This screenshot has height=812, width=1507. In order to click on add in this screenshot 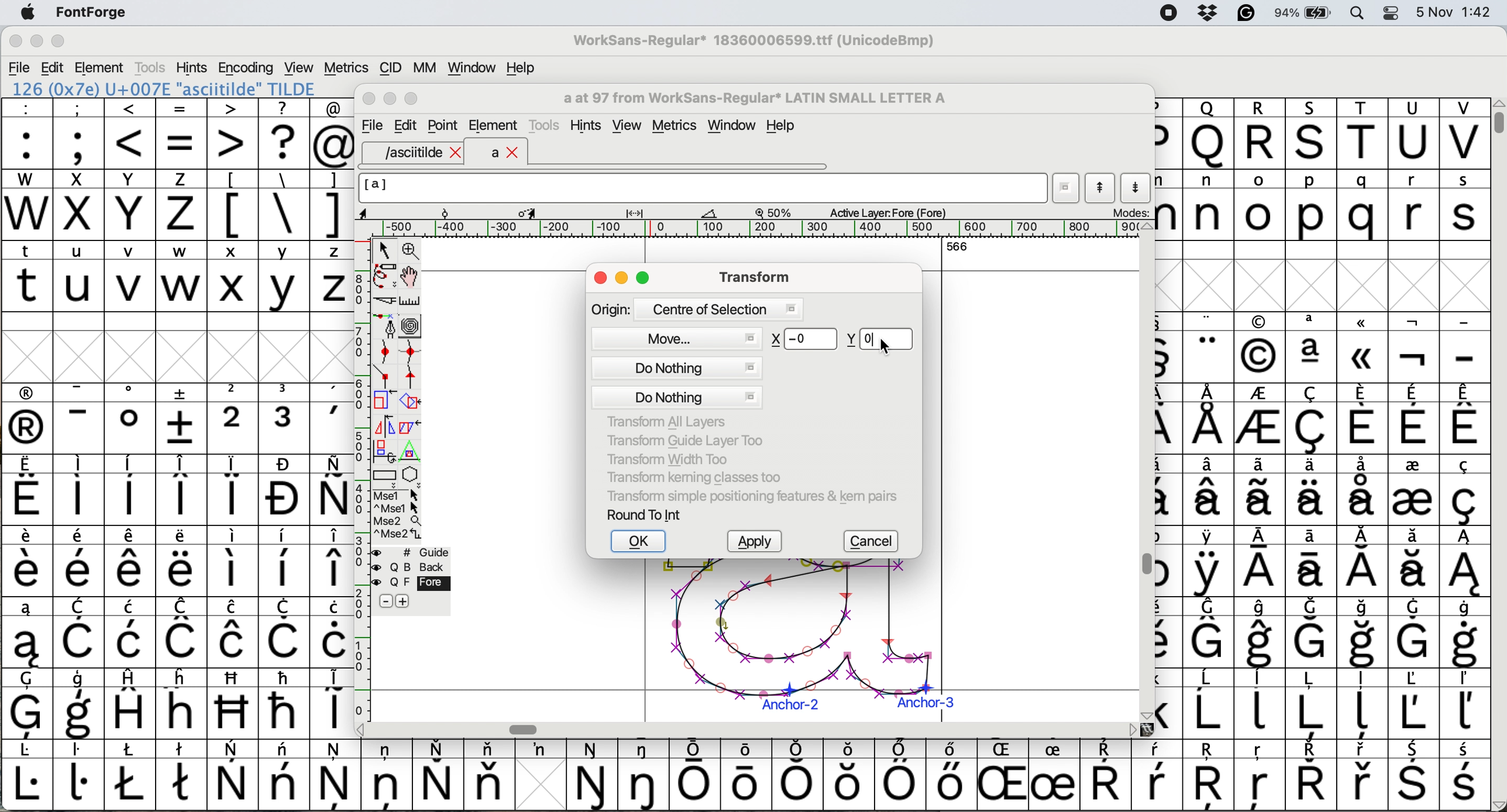, I will do `click(404, 601)`.